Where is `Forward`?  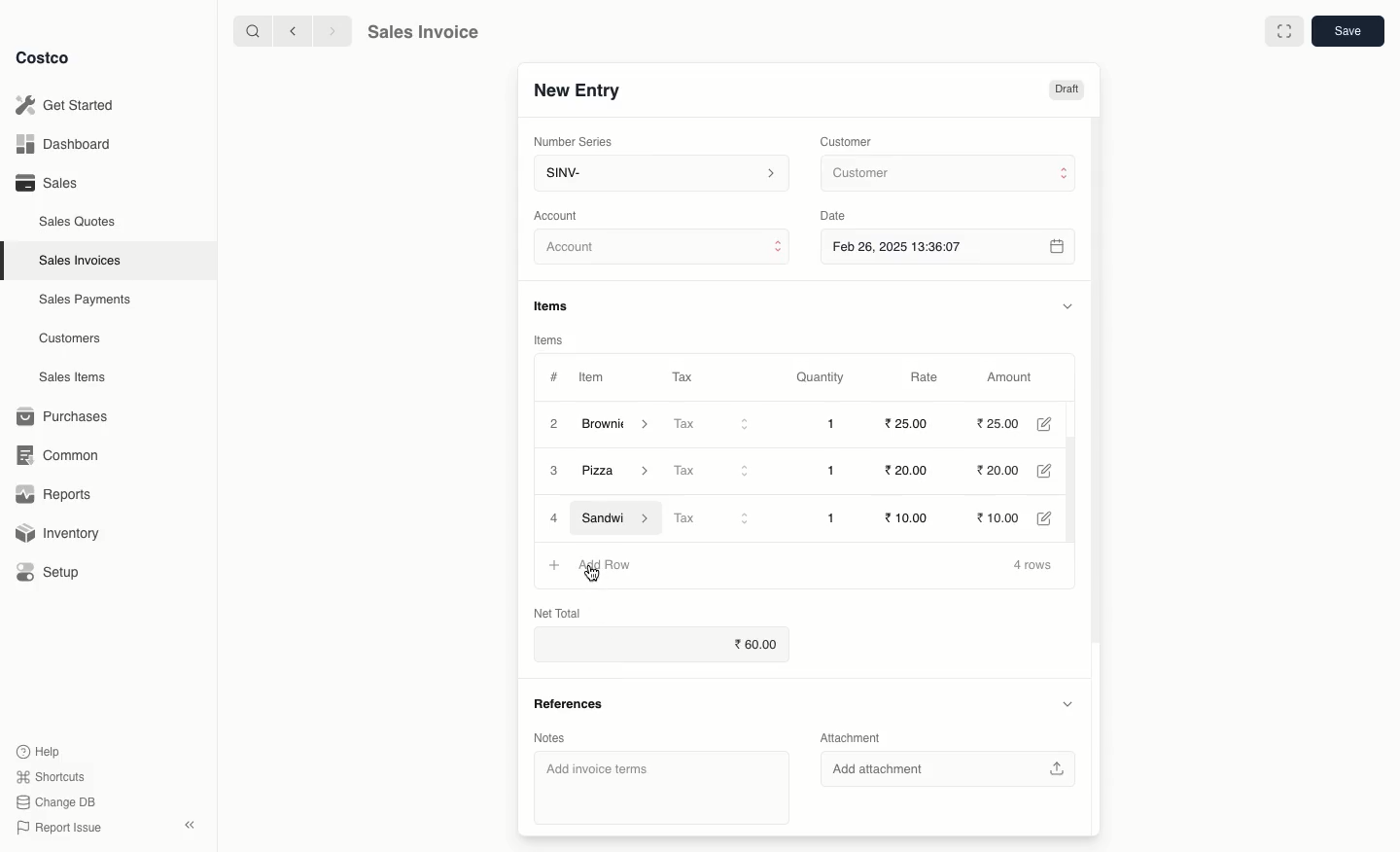 Forward is located at coordinates (332, 32).